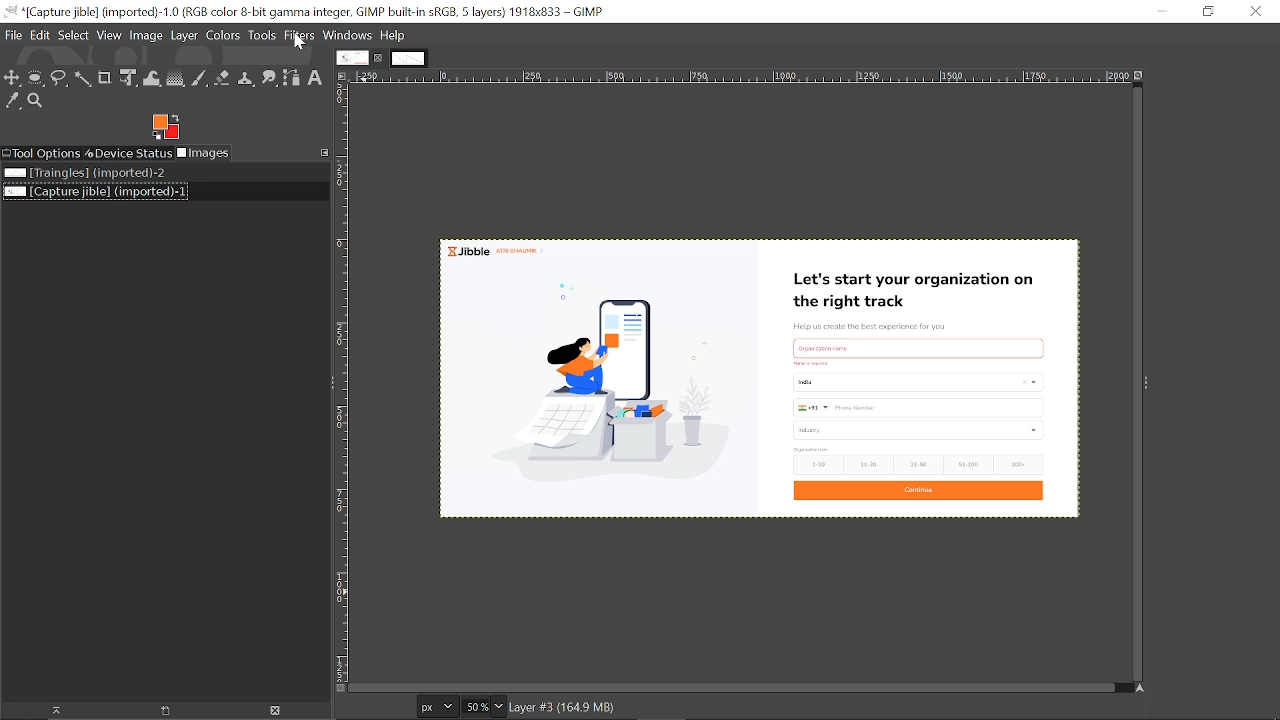  I want to click on Wrap text tool, so click(152, 78).